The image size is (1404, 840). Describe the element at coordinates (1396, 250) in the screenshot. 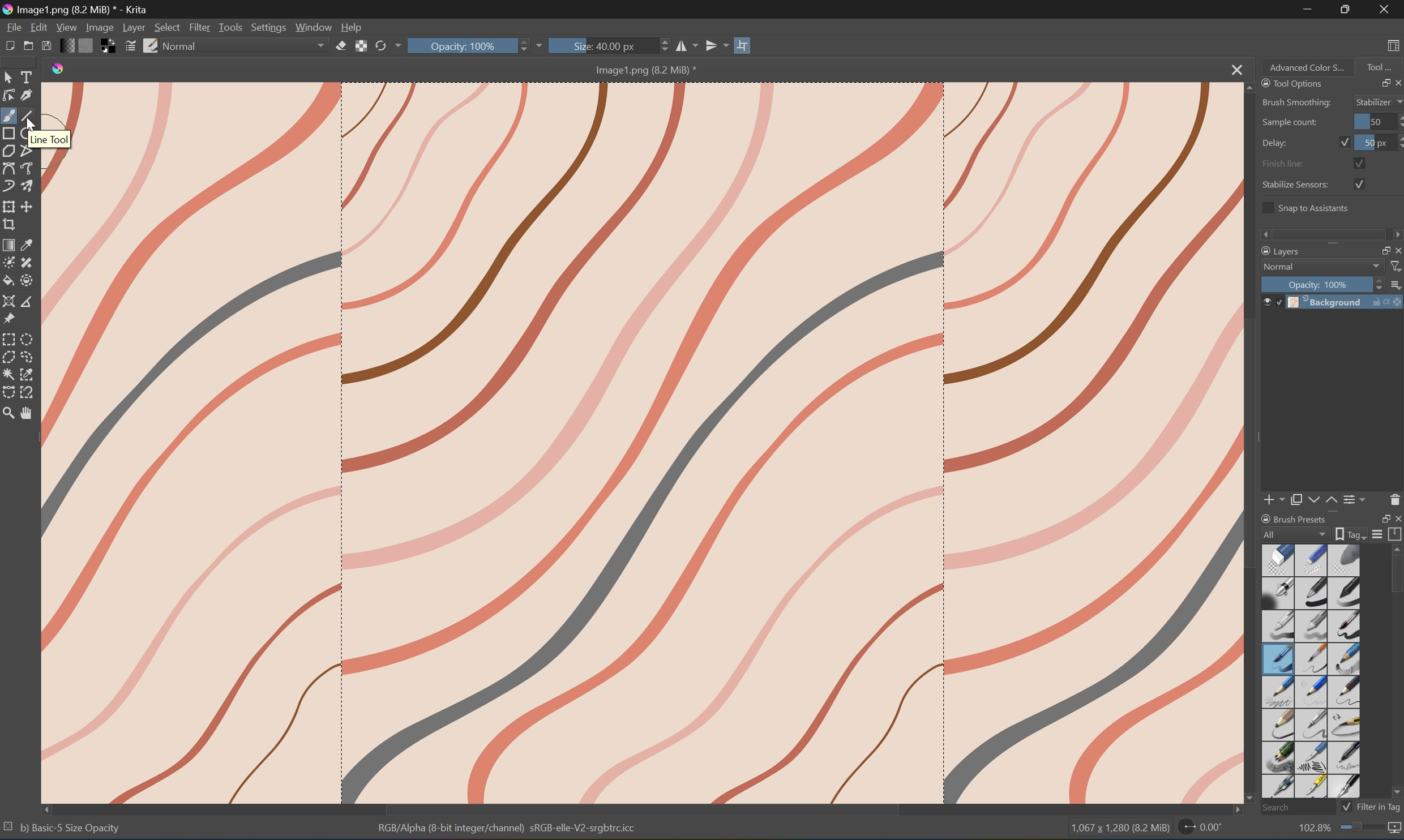

I see `Close` at that location.